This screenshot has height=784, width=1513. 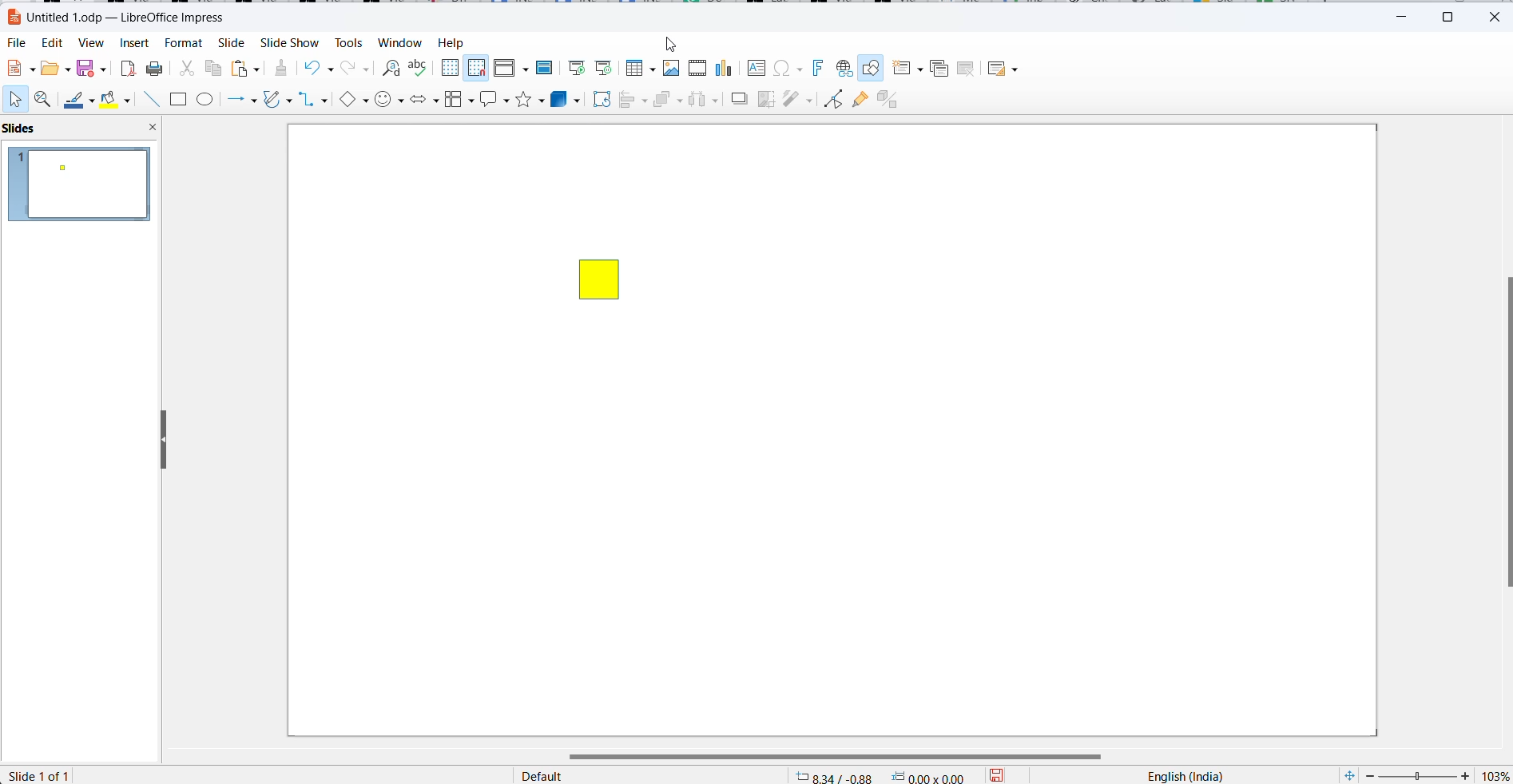 I want to click on Duplicate slide, so click(x=939, y=69).